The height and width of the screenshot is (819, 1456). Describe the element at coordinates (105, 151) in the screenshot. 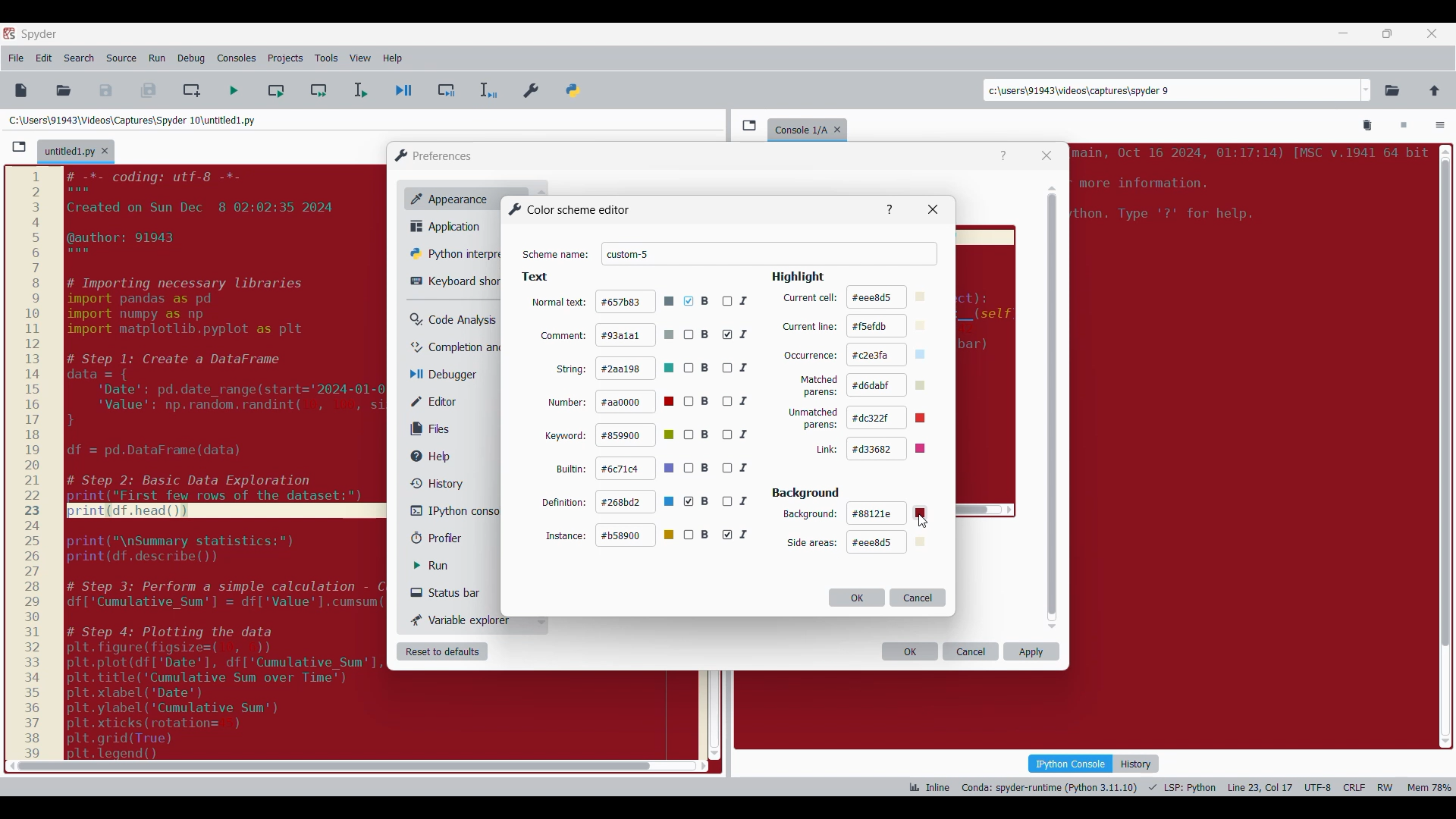

I see `Close tab` at that location.